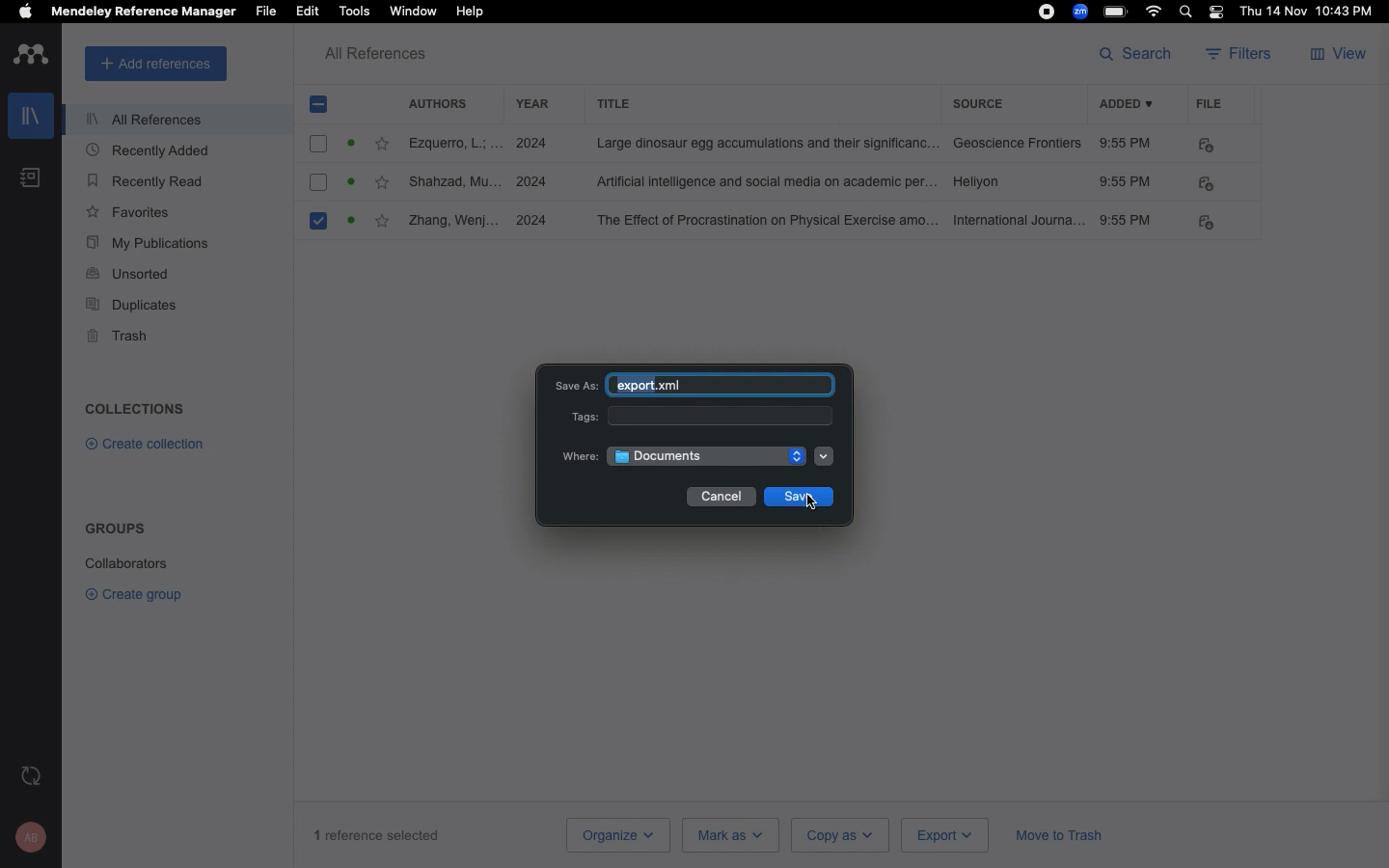 The width and height of the screenshot is (1389, 868). I want to click on cursor, so click(813, 506).